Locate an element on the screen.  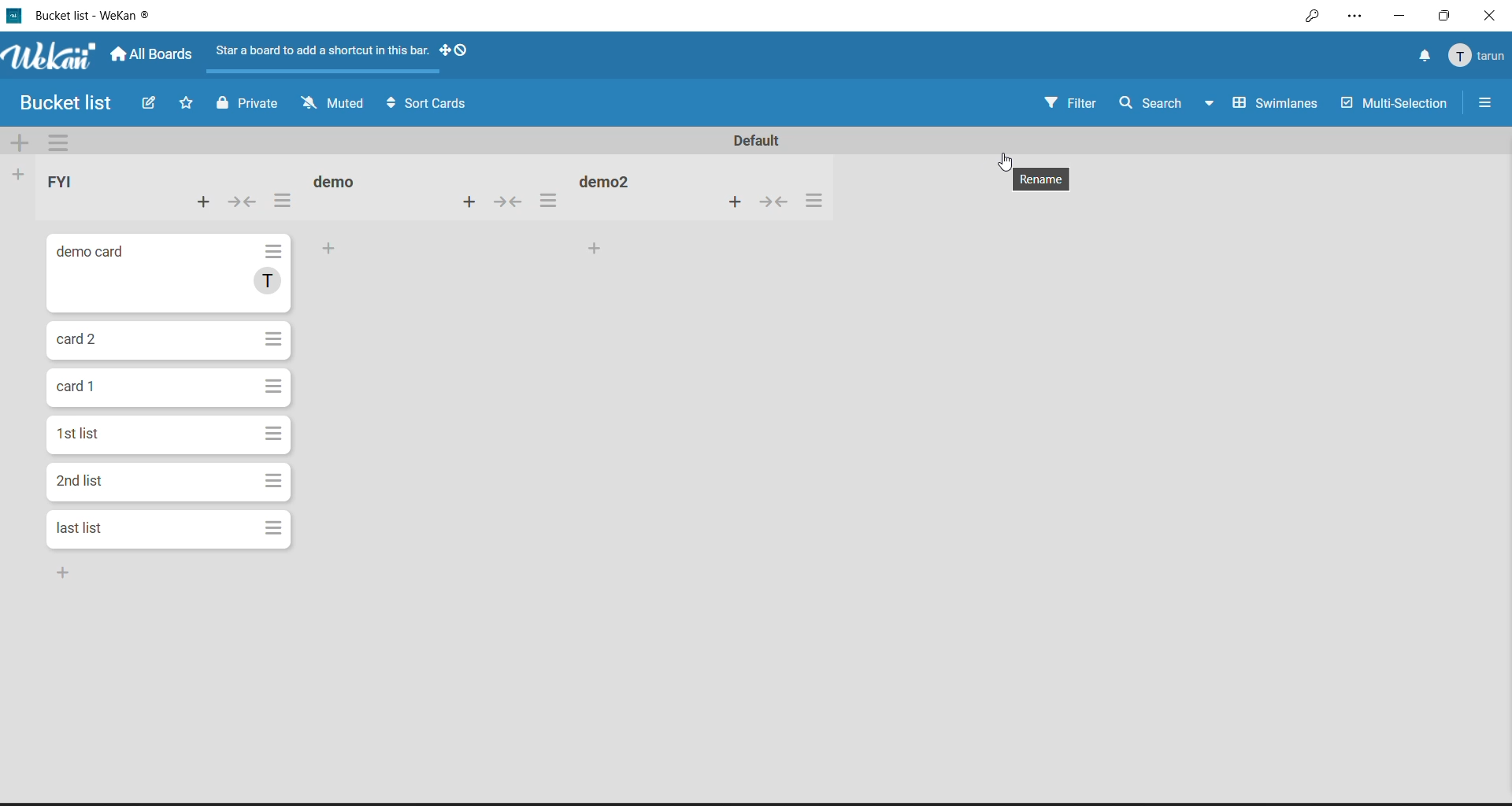
edit is located at coordinates (151, 104).